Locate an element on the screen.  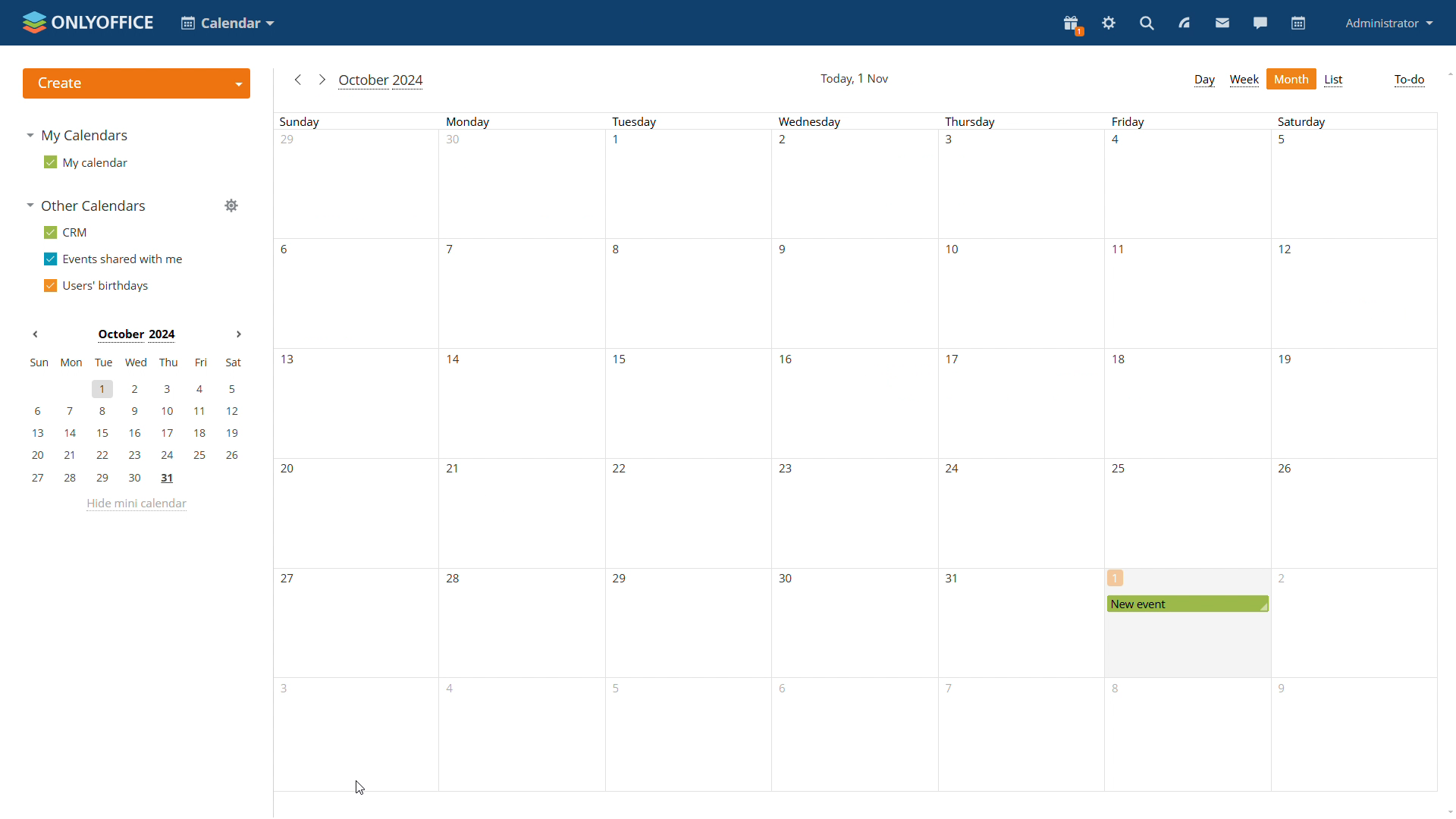
my calendar is located at coordinates (86, 163).